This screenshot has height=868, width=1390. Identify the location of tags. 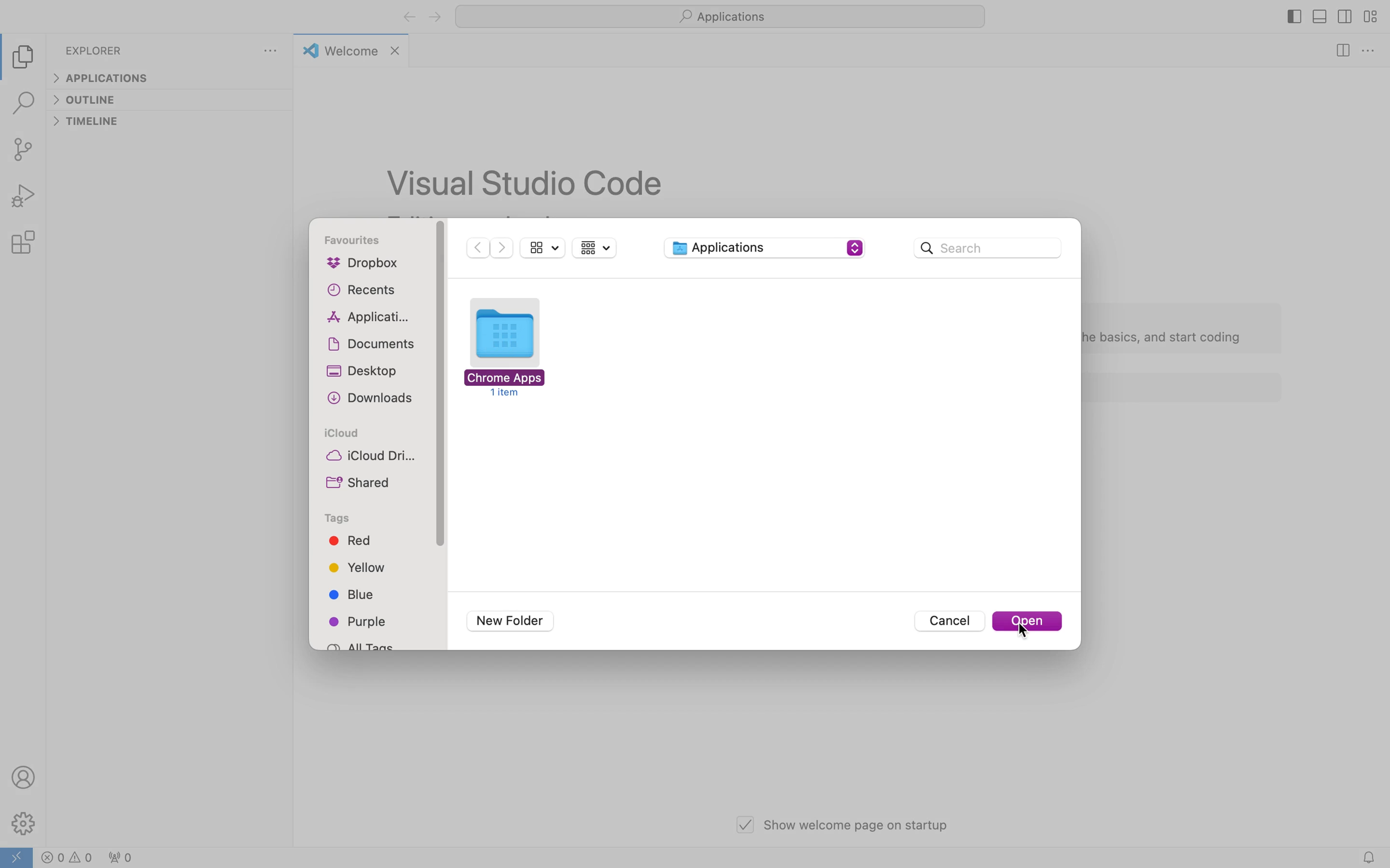
(341, 520).